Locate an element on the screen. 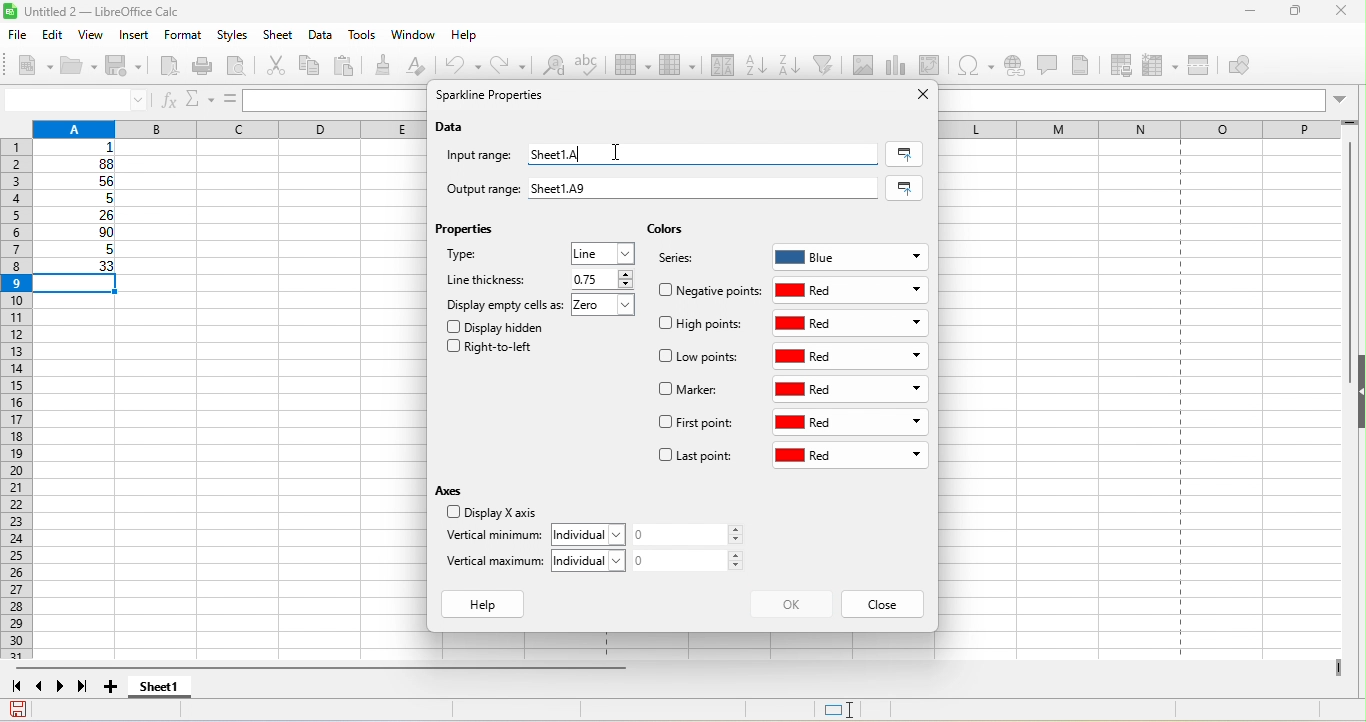 Image resolution: width=1366 pixels, height=722 pixels. blue is located at coordinates (851, 254).